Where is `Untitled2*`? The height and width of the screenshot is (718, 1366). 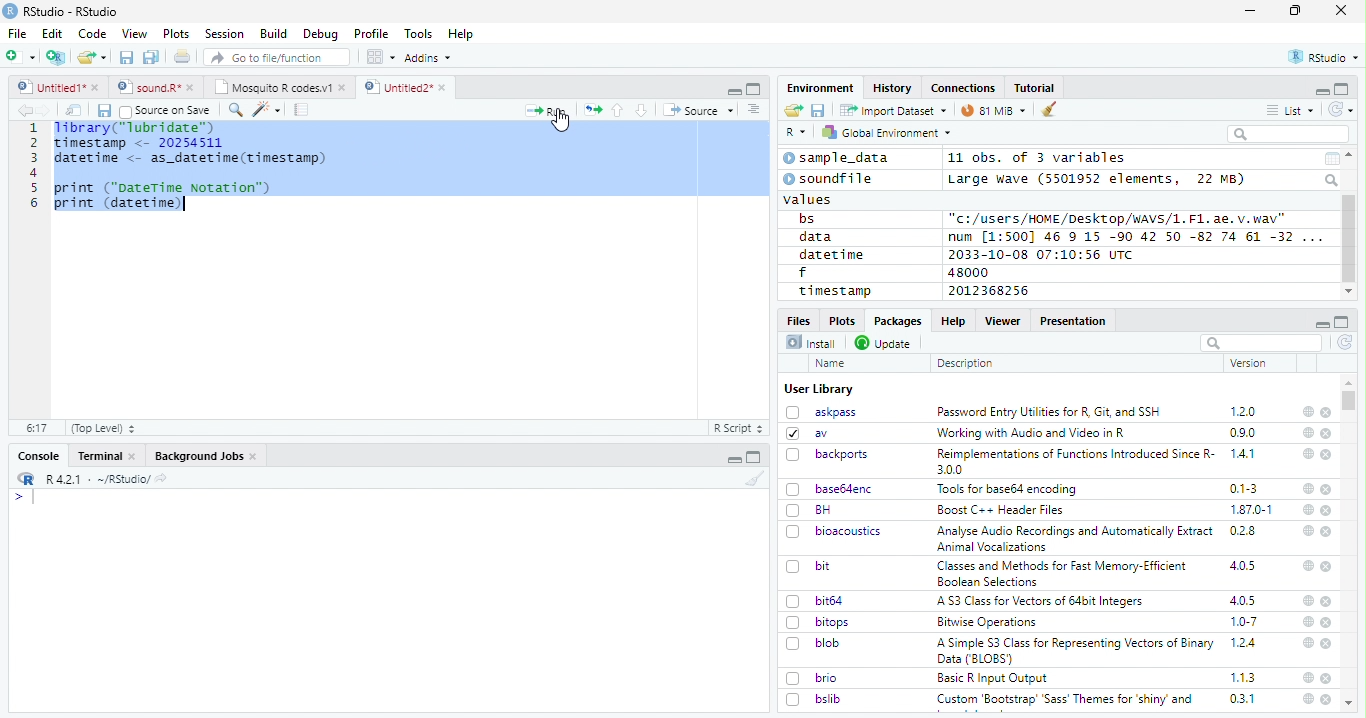 Untitled2* is located at coordinates (409, 88).